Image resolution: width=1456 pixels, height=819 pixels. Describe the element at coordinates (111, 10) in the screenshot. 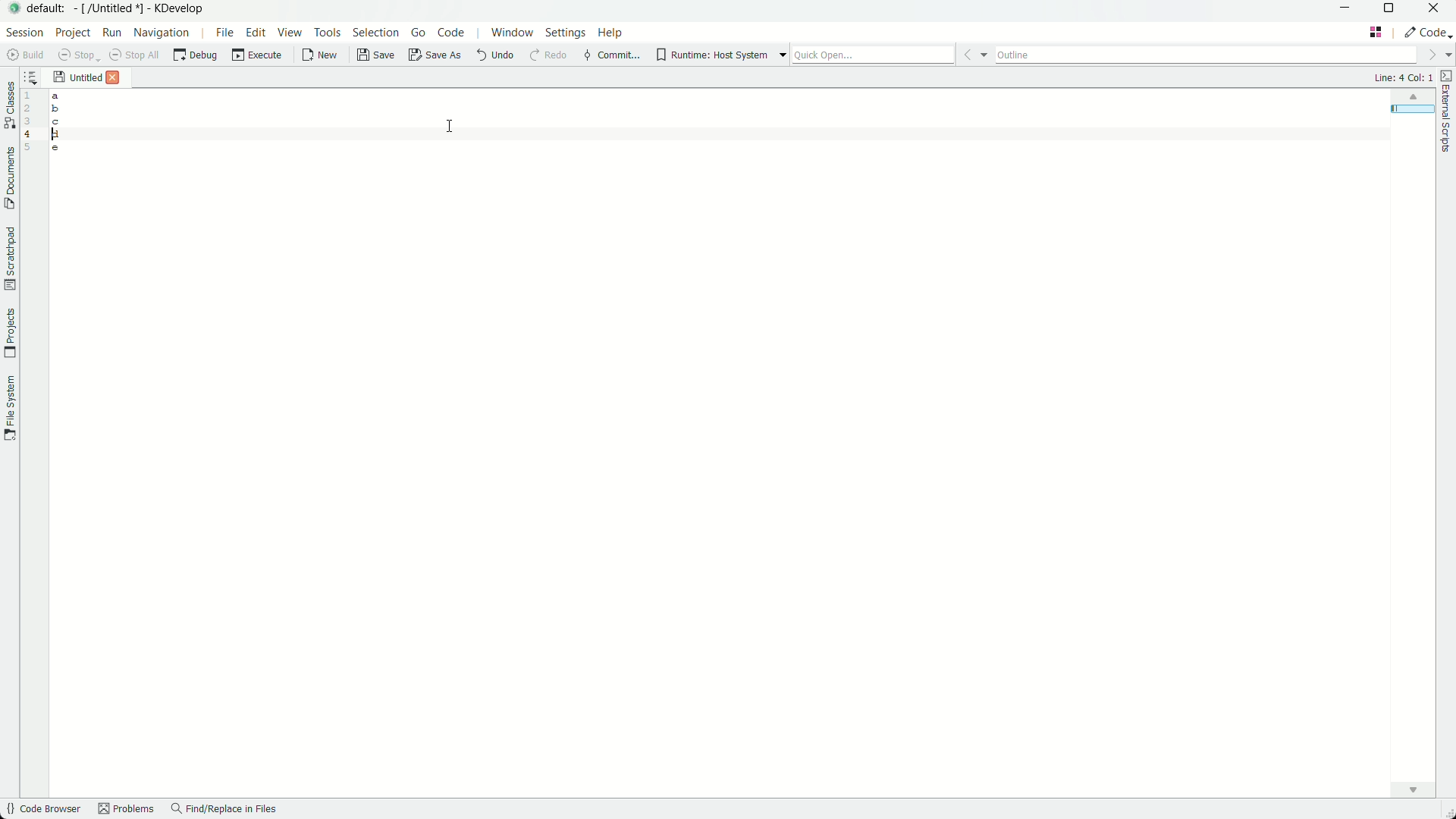

I see `[/untitled*]` at that location.